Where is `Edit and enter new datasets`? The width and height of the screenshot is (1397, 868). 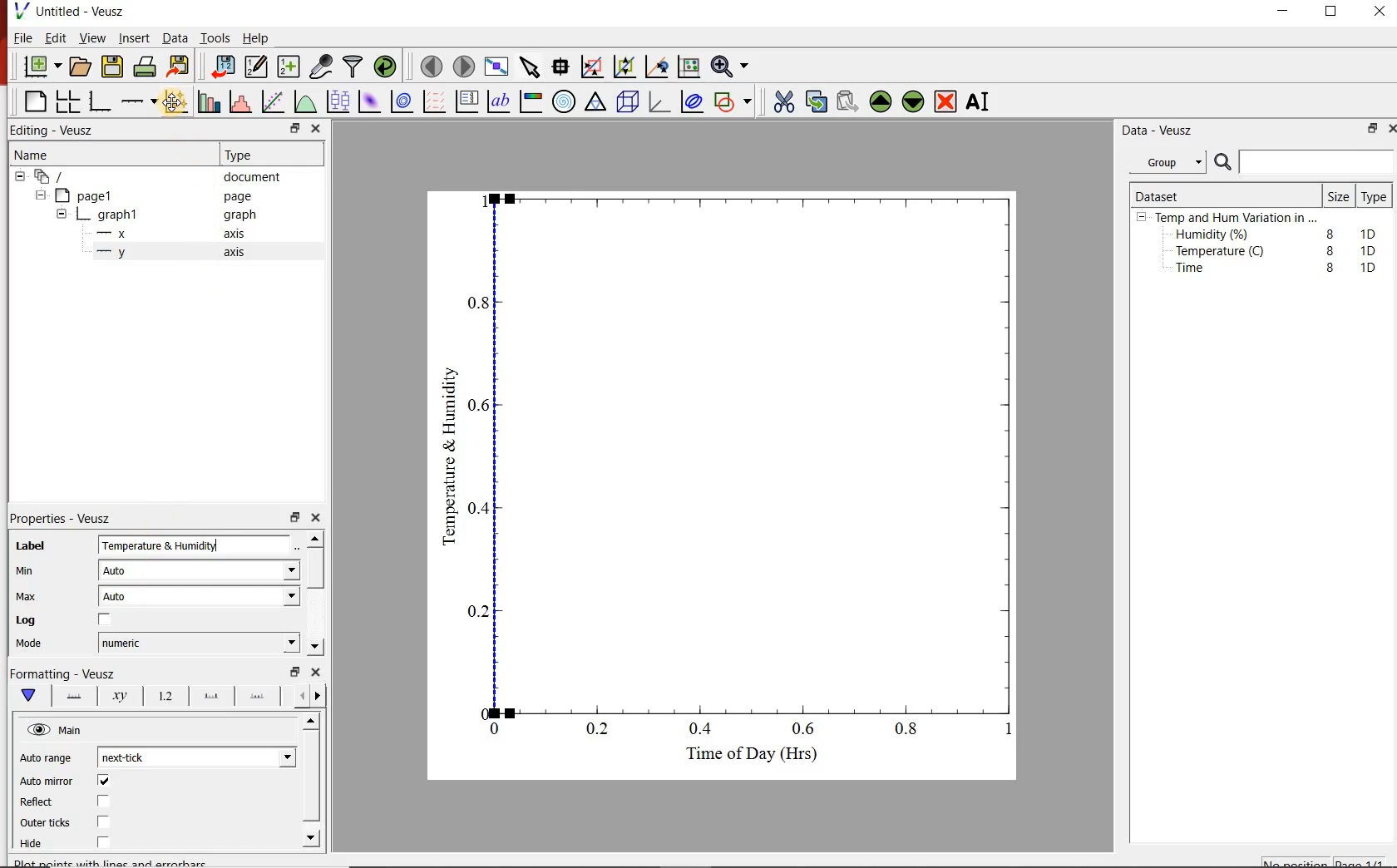
Edit and enter new datasets is located at coordinates (257, 67).